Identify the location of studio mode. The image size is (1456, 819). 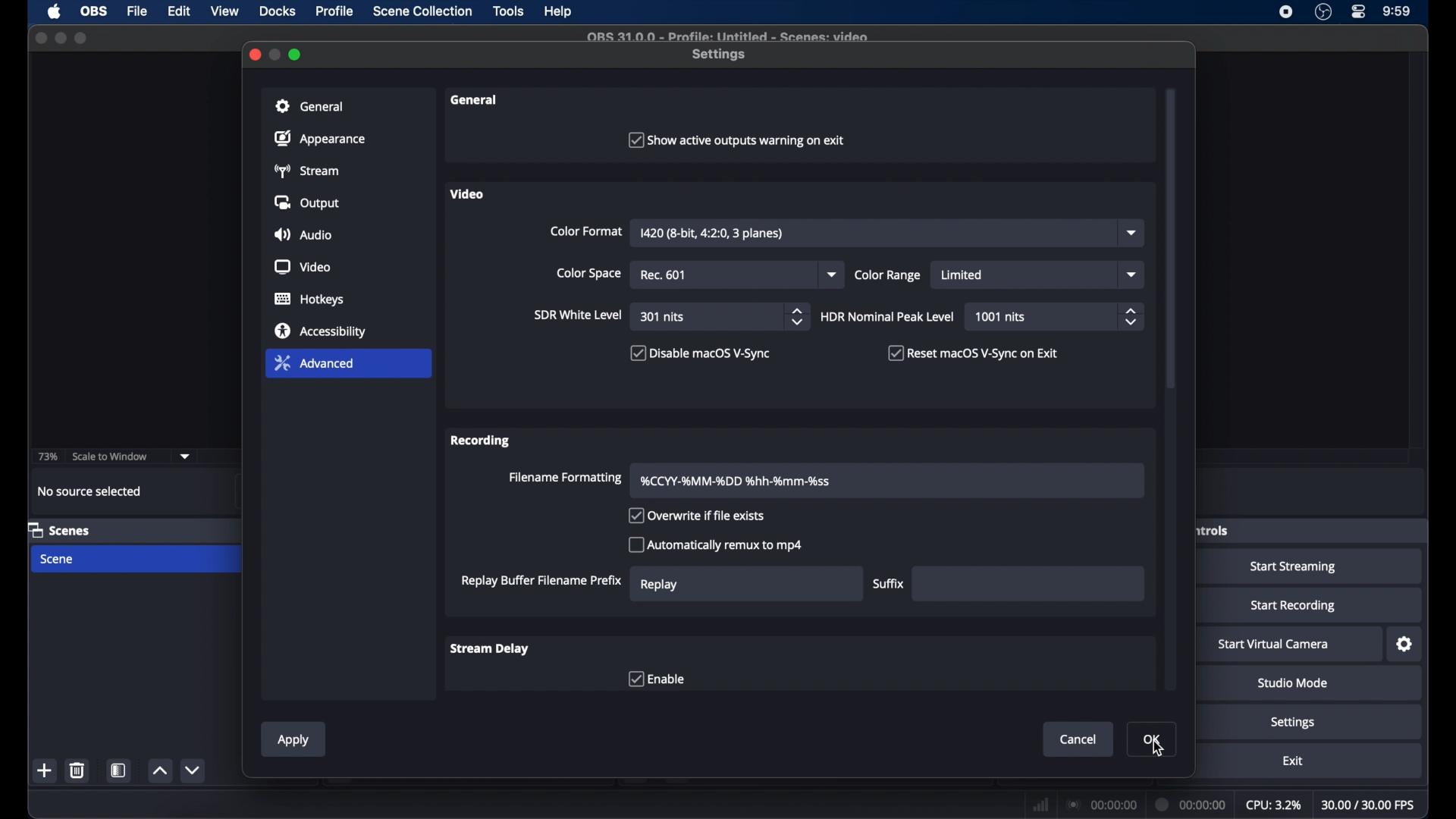
(1292, 683).